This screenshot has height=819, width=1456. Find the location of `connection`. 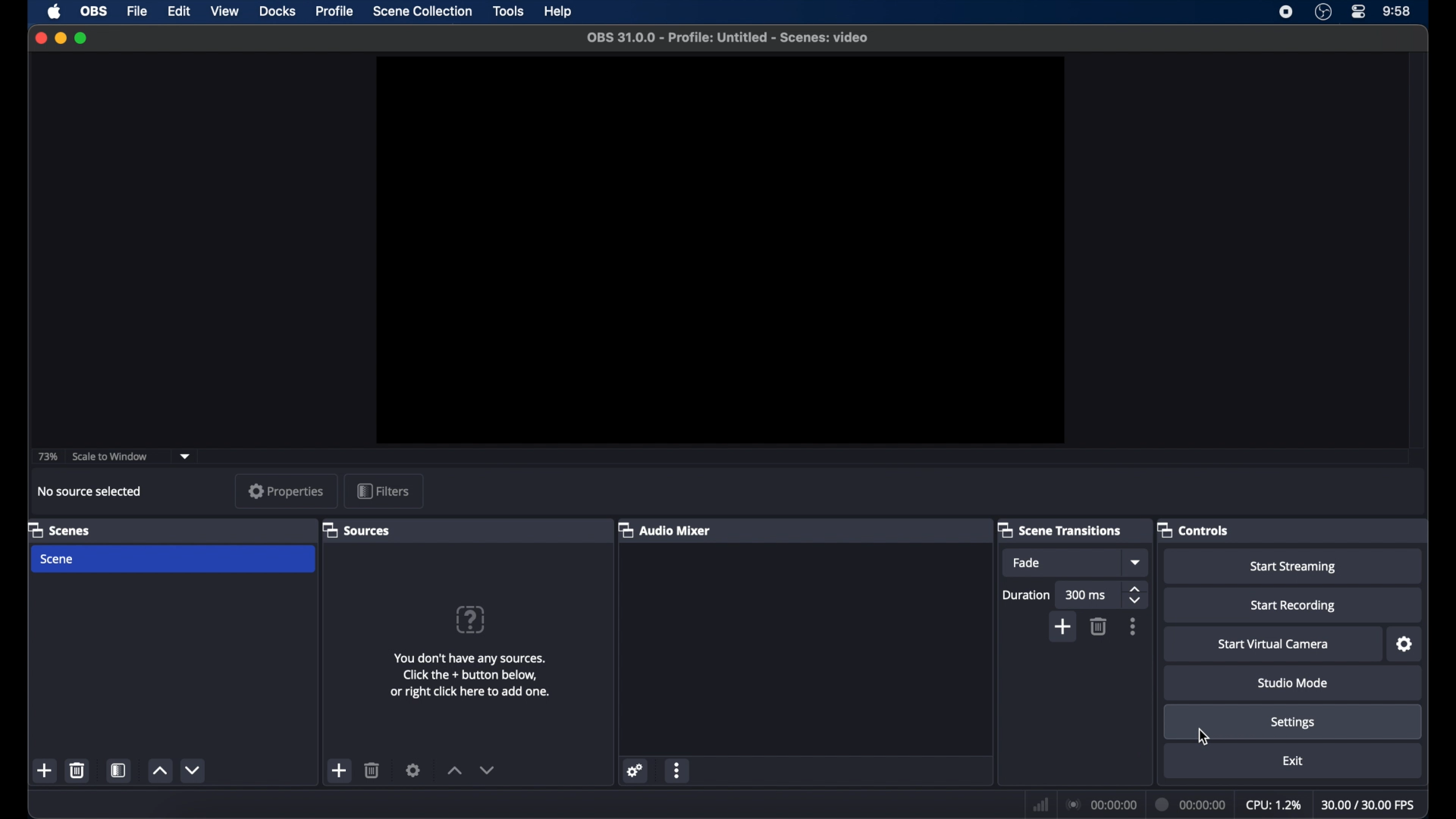

connection is located at coordinates (1103, 803).